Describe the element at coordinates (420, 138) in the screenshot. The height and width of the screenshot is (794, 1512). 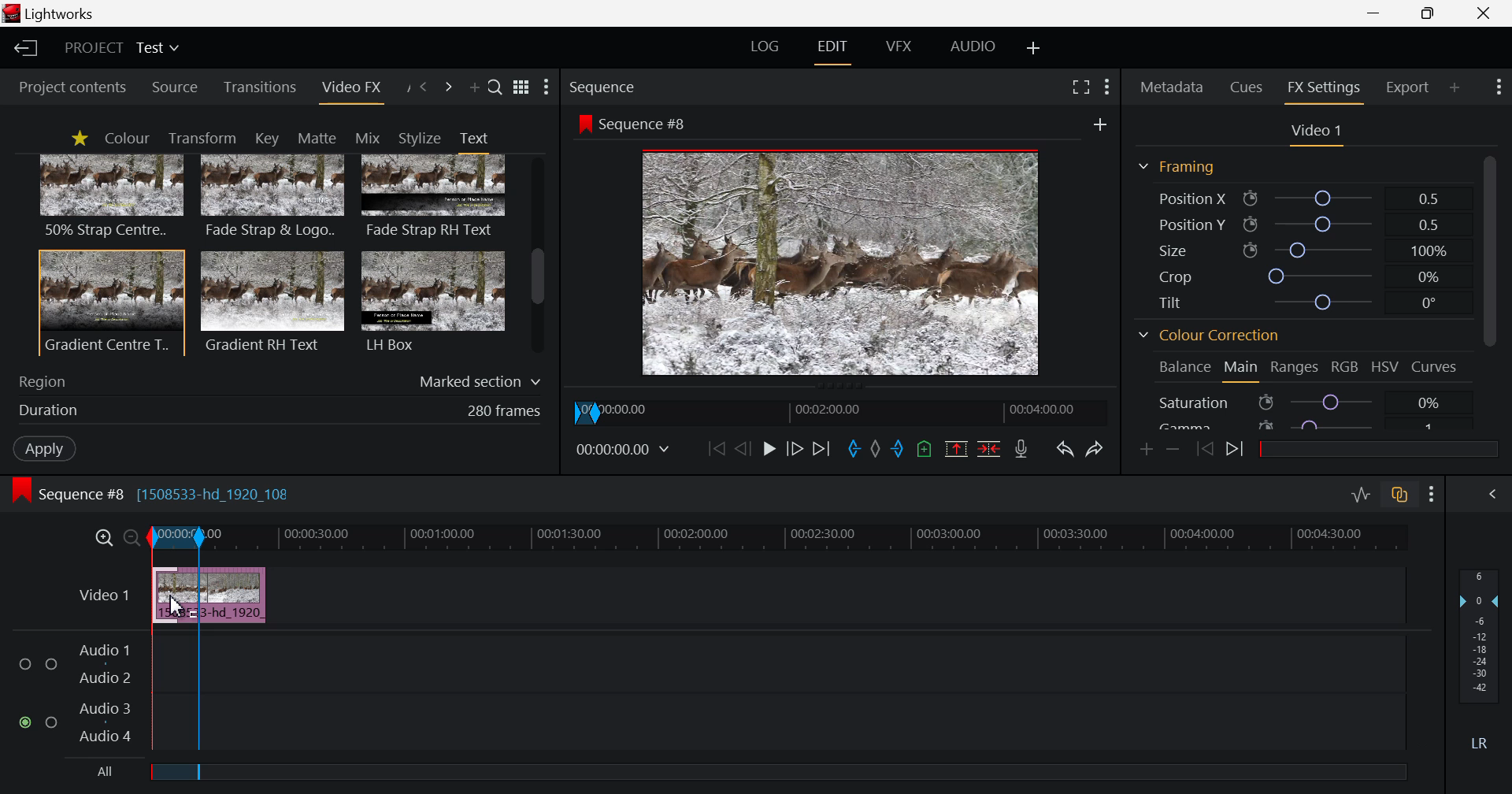
I see `Stylize` at that location.